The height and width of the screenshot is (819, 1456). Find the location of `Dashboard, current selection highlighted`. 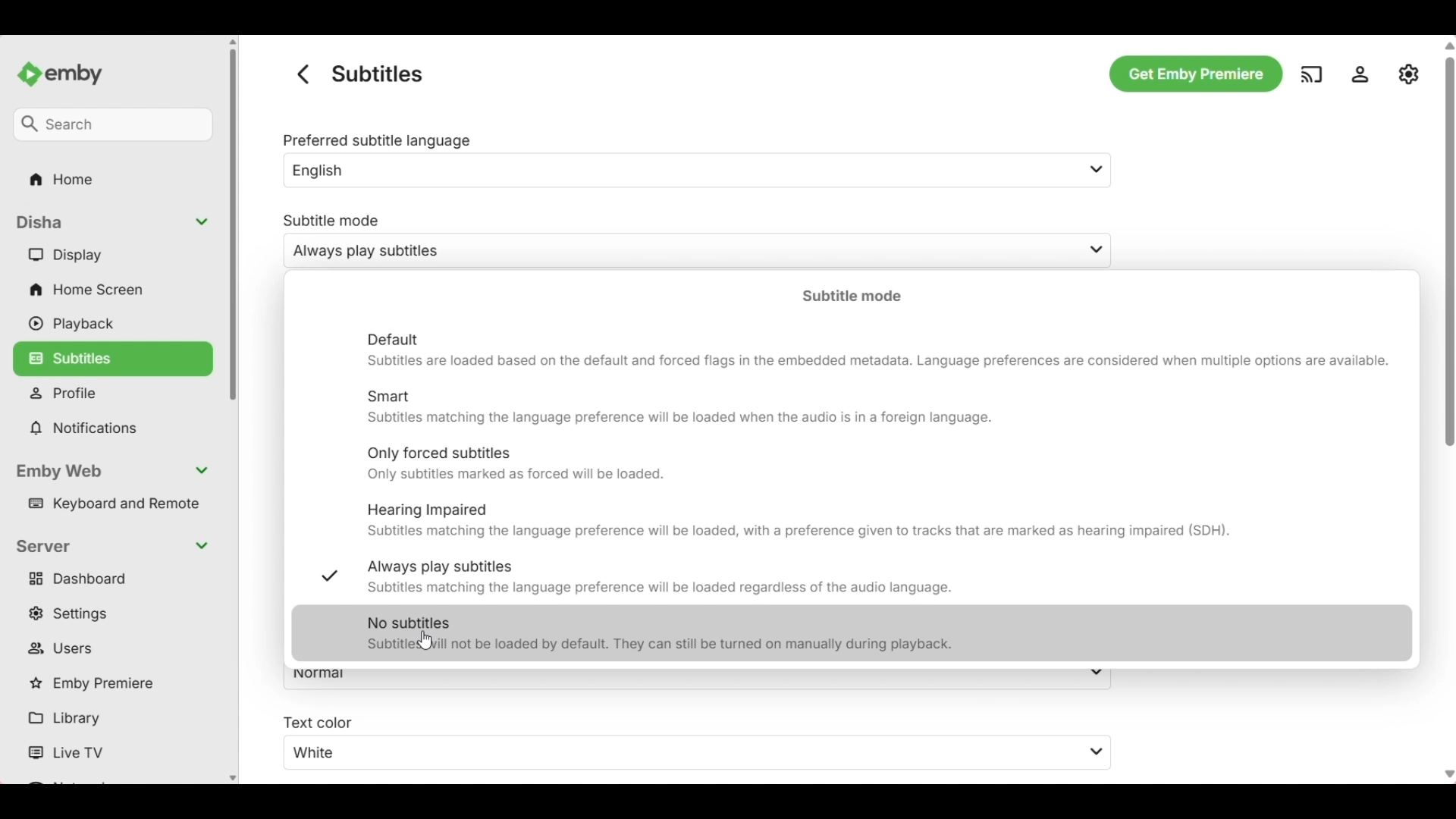

Dashboard, current selection highlighted is located at coordinates (114, 579).